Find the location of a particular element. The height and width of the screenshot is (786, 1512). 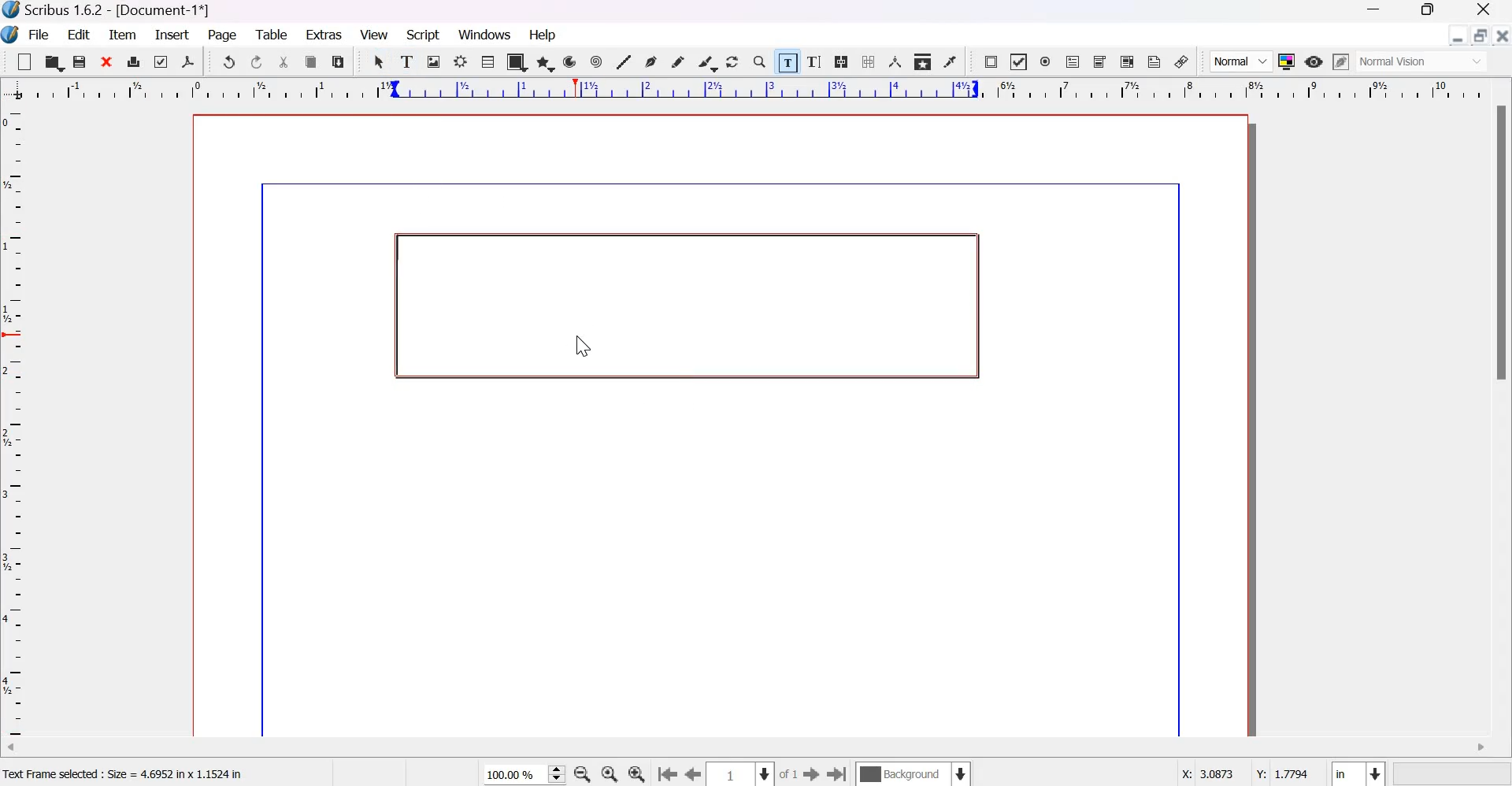

unlink text frames is located at coordinates (867, 61).